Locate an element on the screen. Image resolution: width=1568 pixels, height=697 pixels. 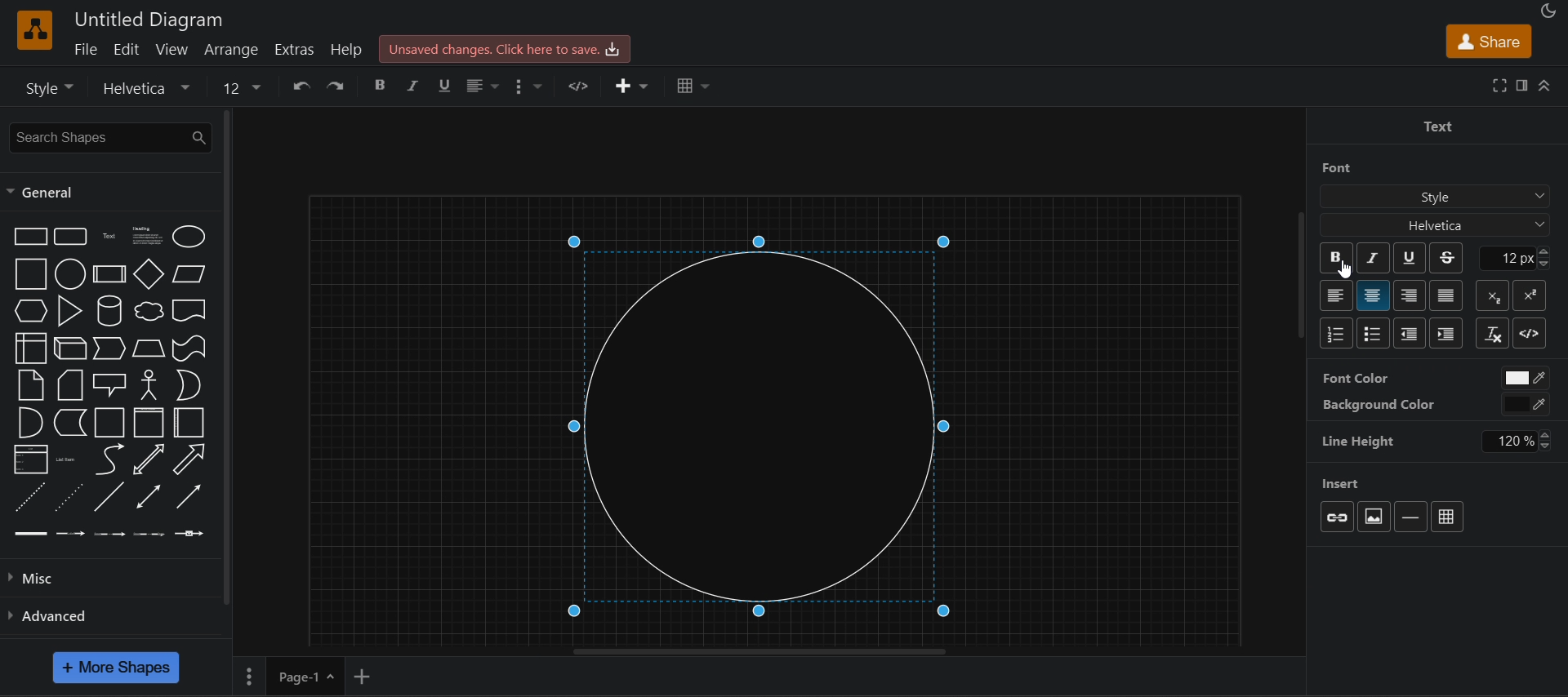
Connector 4 is located at coordinates (147, 534).